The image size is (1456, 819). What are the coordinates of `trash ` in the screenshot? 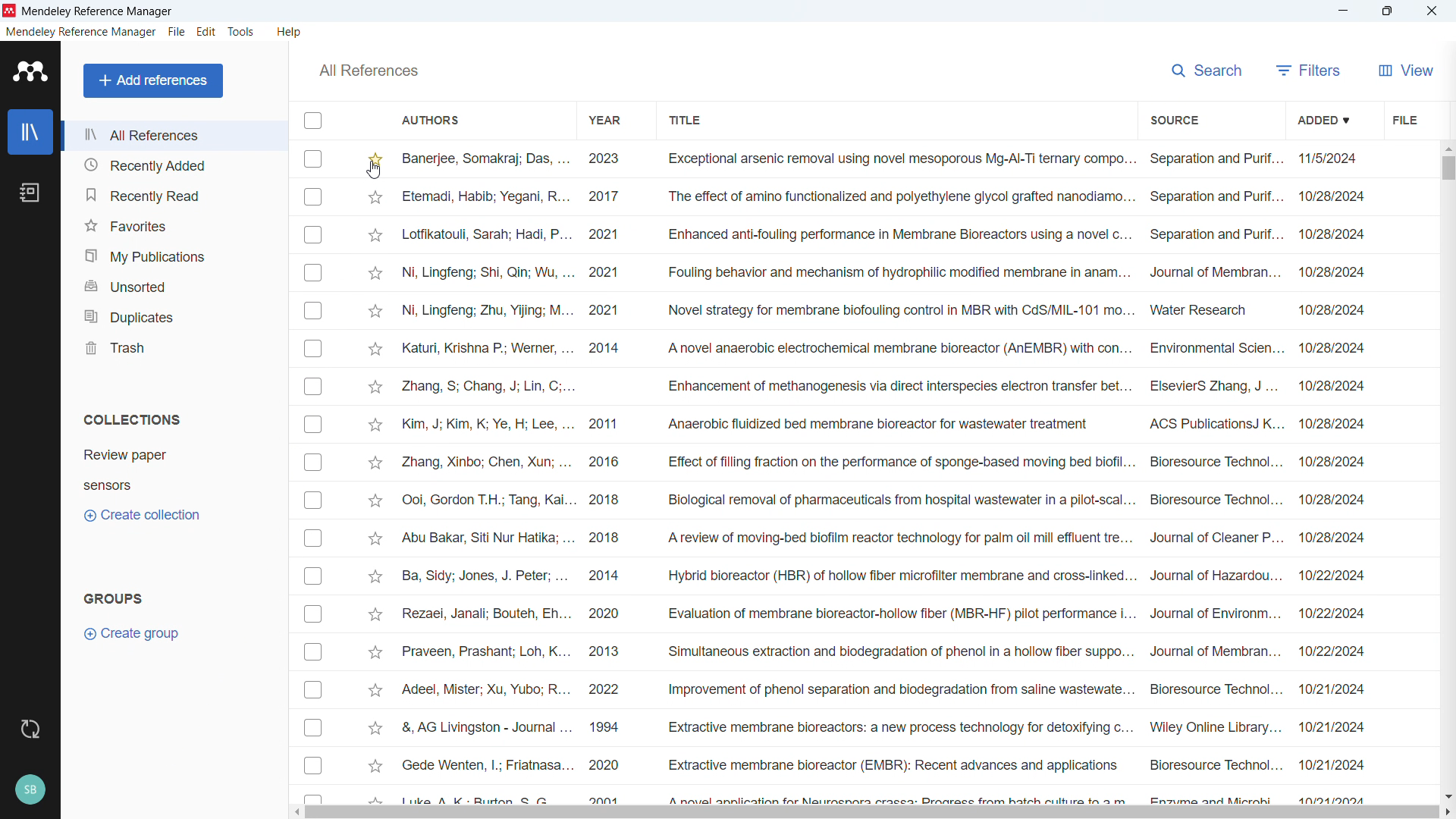 It's located at (174, 346).